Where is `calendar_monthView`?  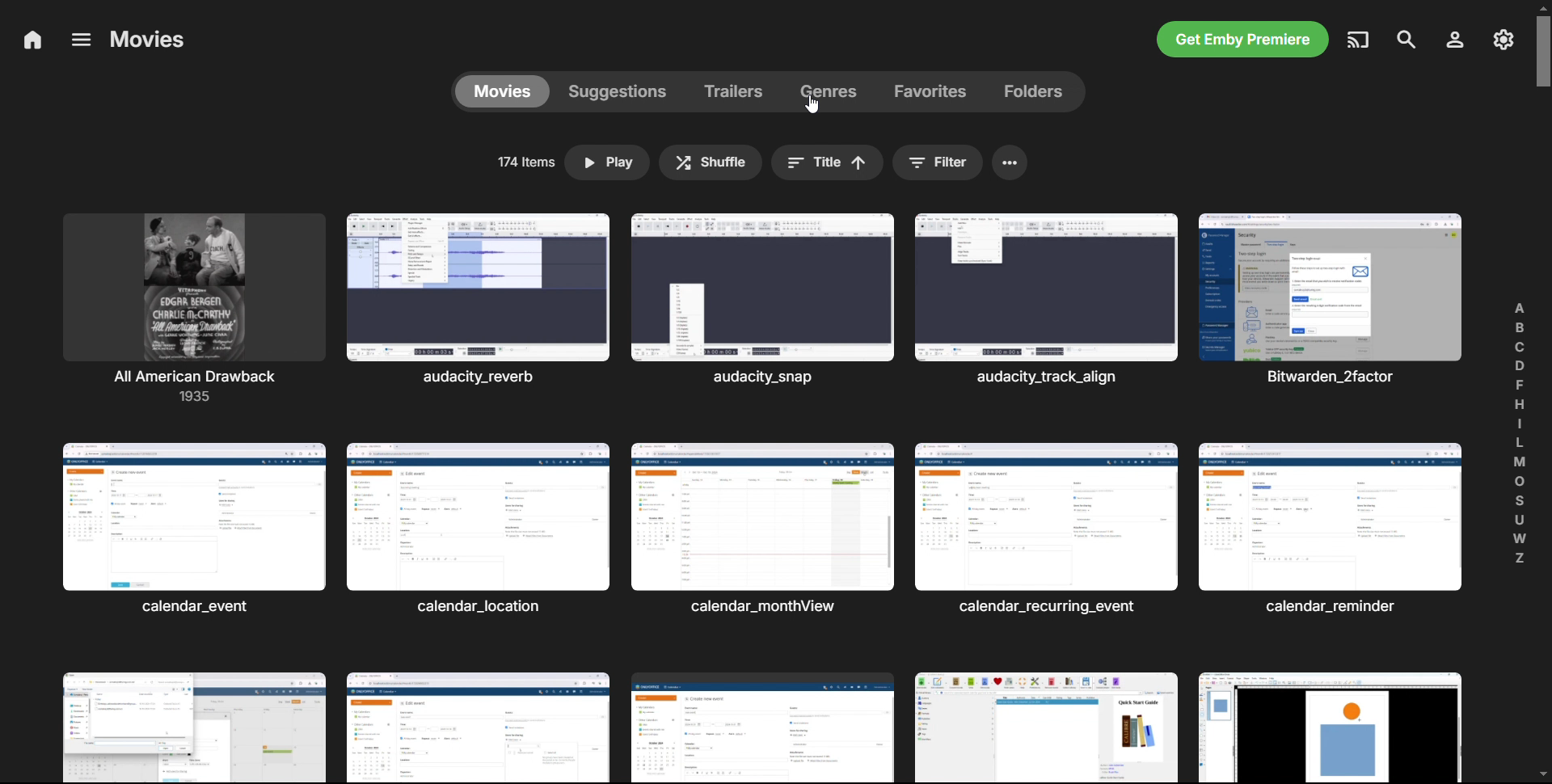
calendar_monthView is located at coordinates (764, 532).